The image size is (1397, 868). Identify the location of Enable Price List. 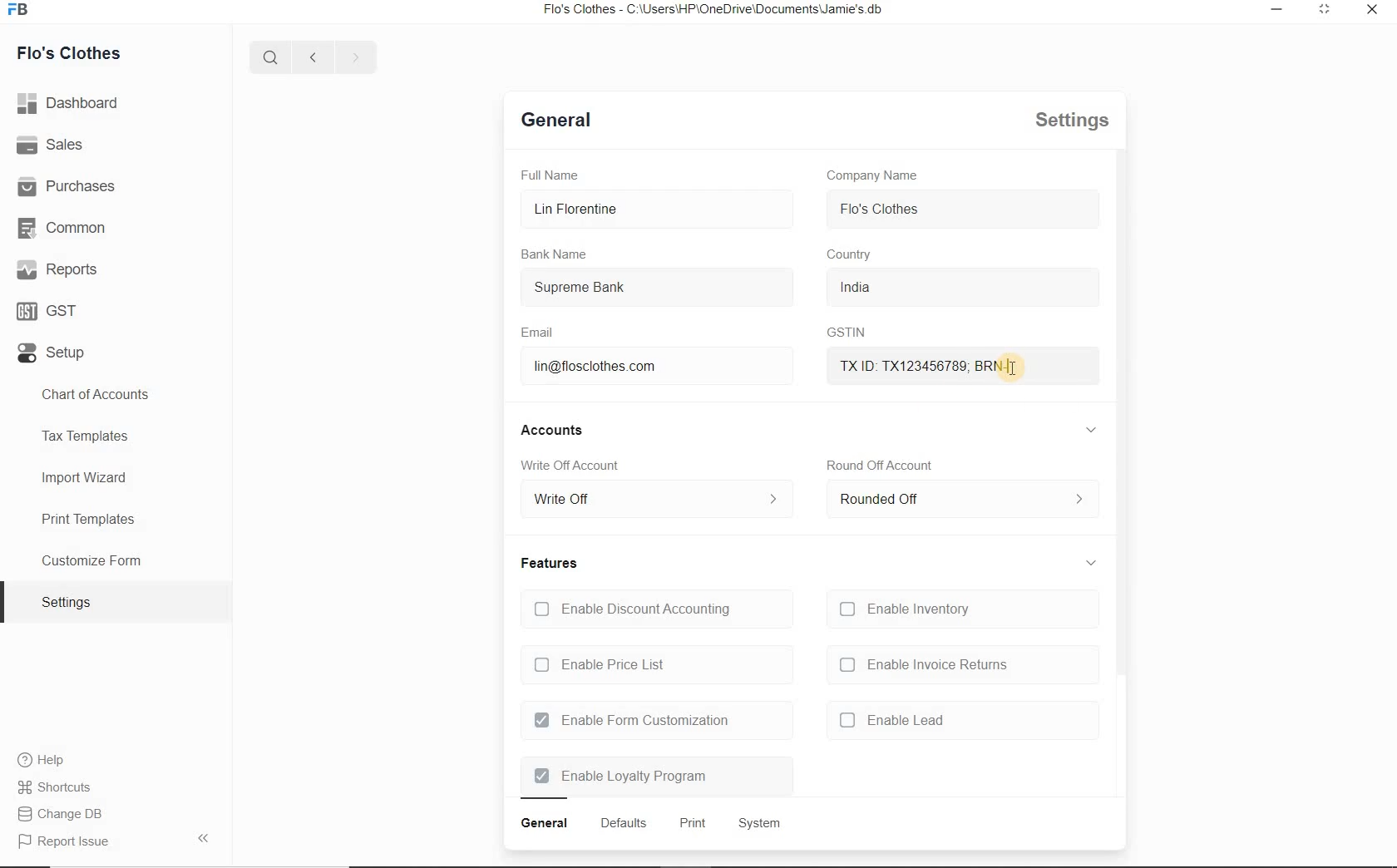
(603, 666).